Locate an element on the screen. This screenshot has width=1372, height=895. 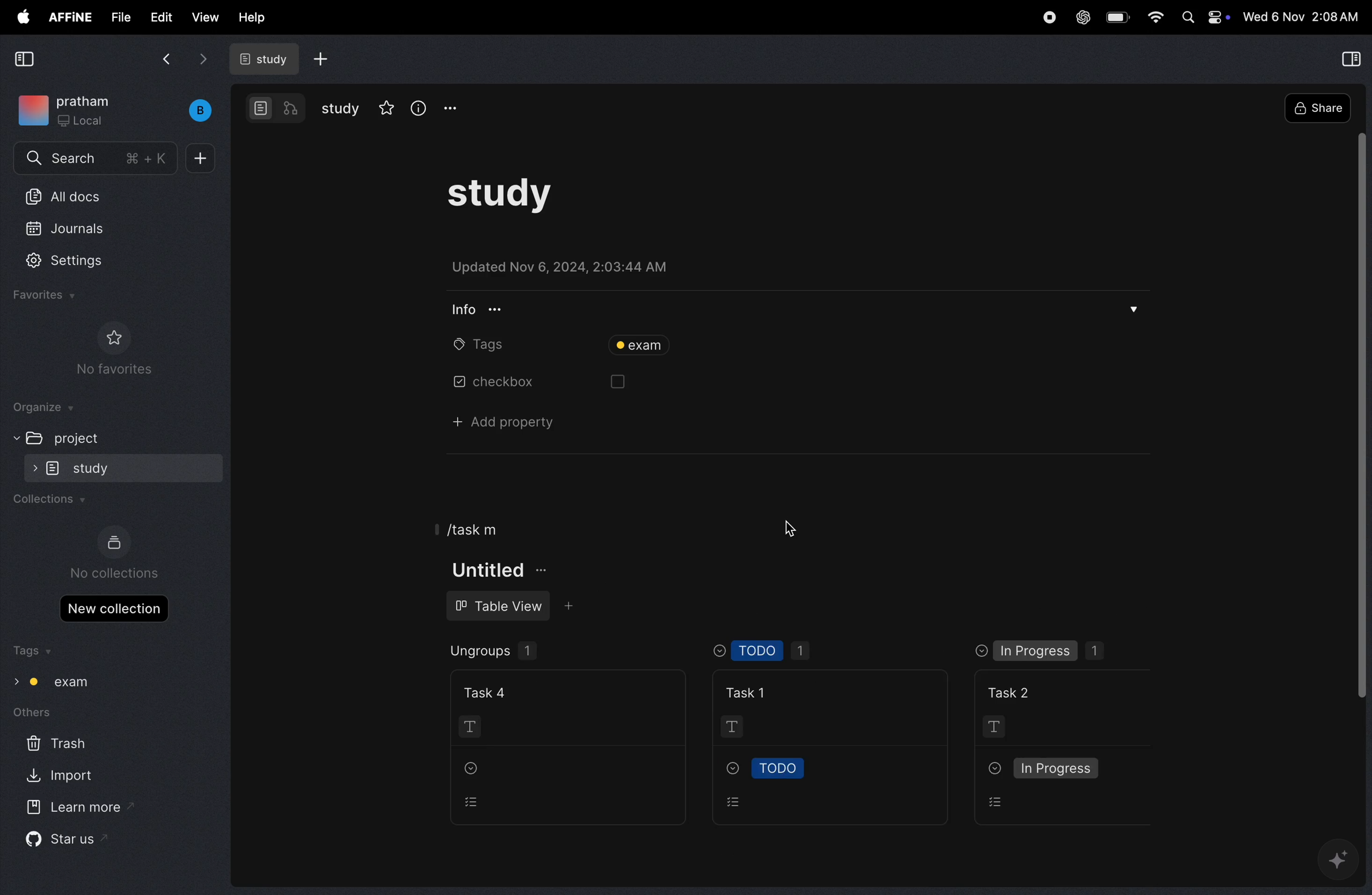
edit is located at coordinates (163, 17).